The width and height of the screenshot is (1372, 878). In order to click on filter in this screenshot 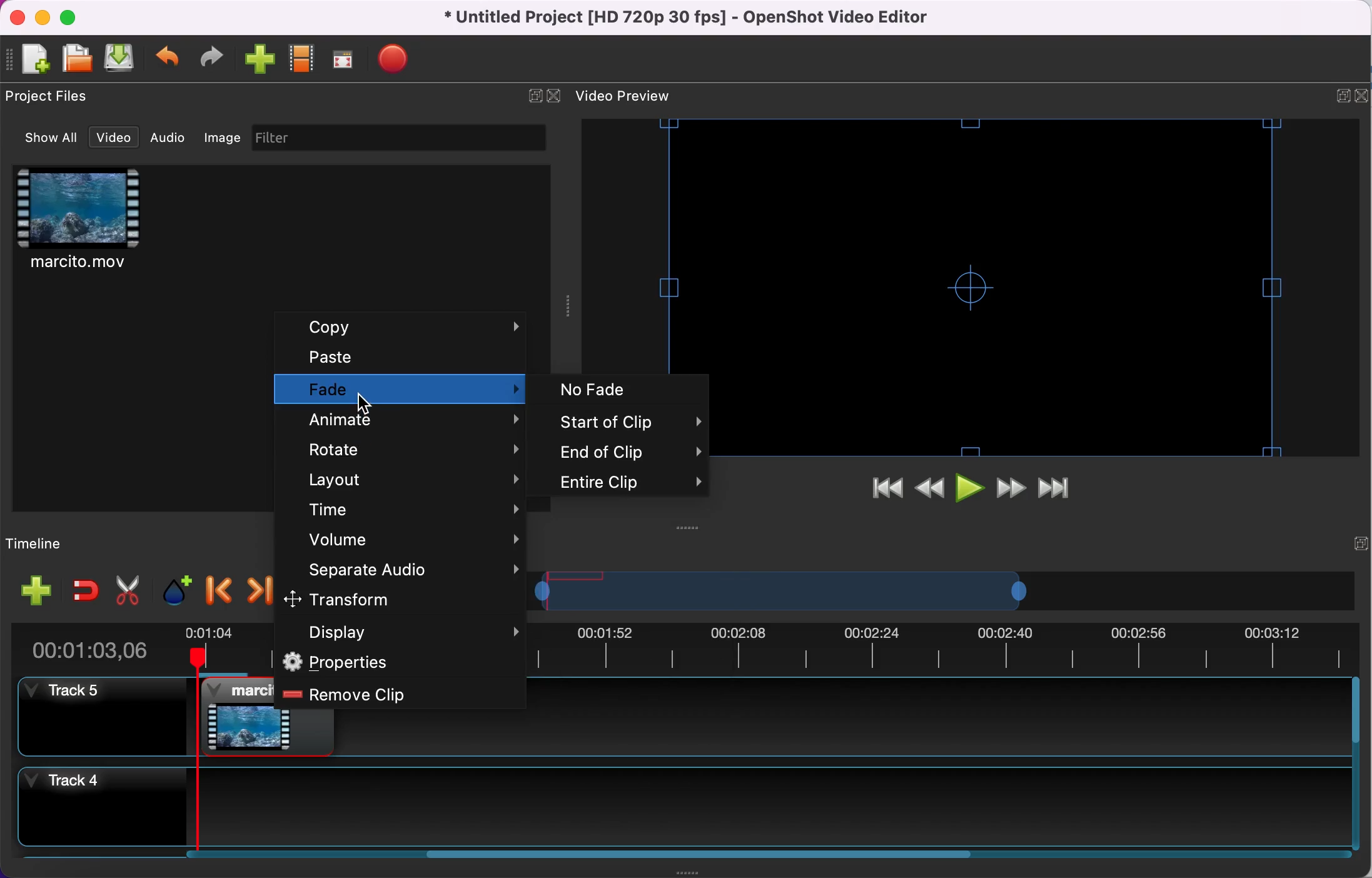, I will do `click(402, 138)`.